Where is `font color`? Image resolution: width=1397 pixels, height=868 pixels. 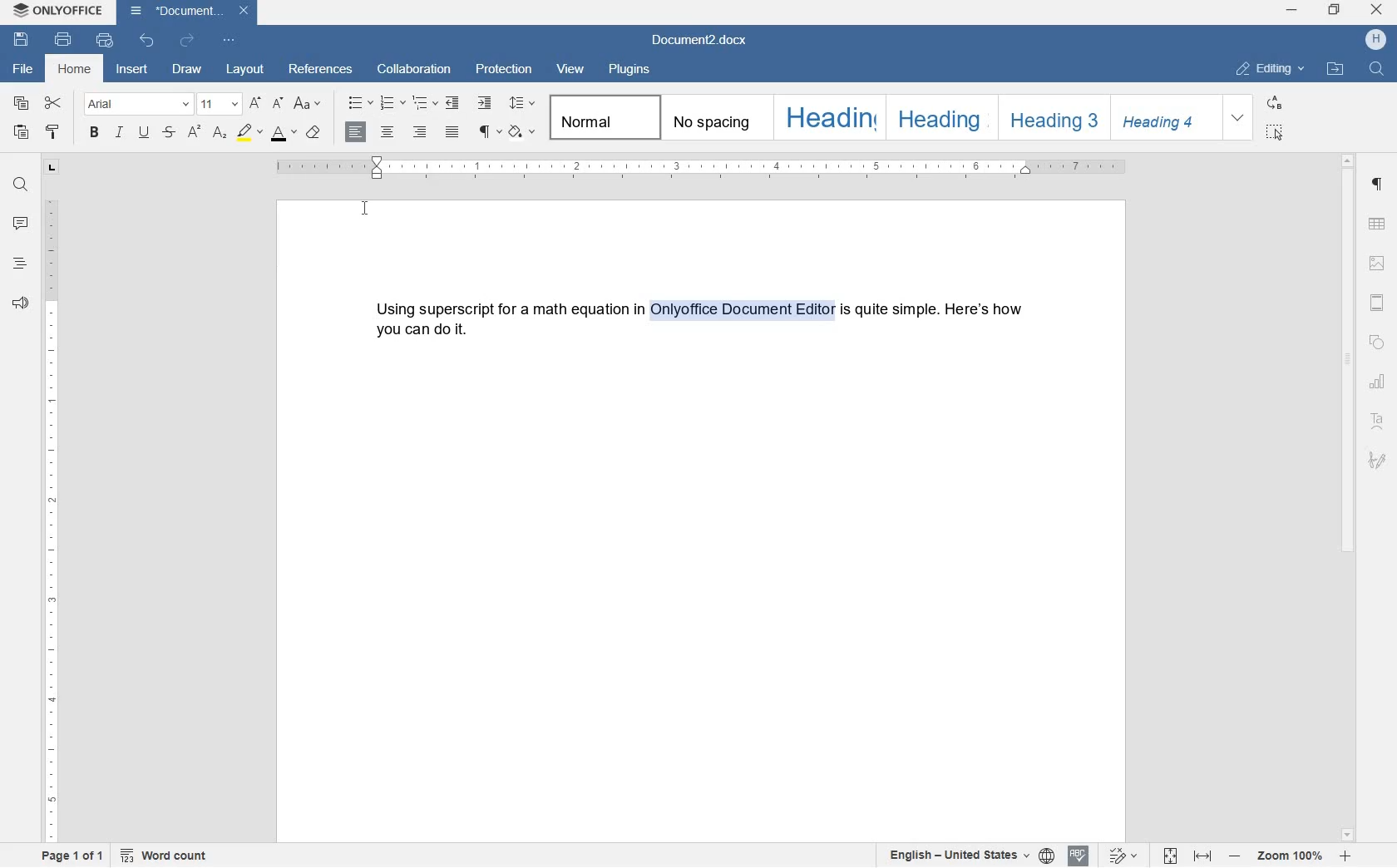
font color is located at coordinates (284, 134).